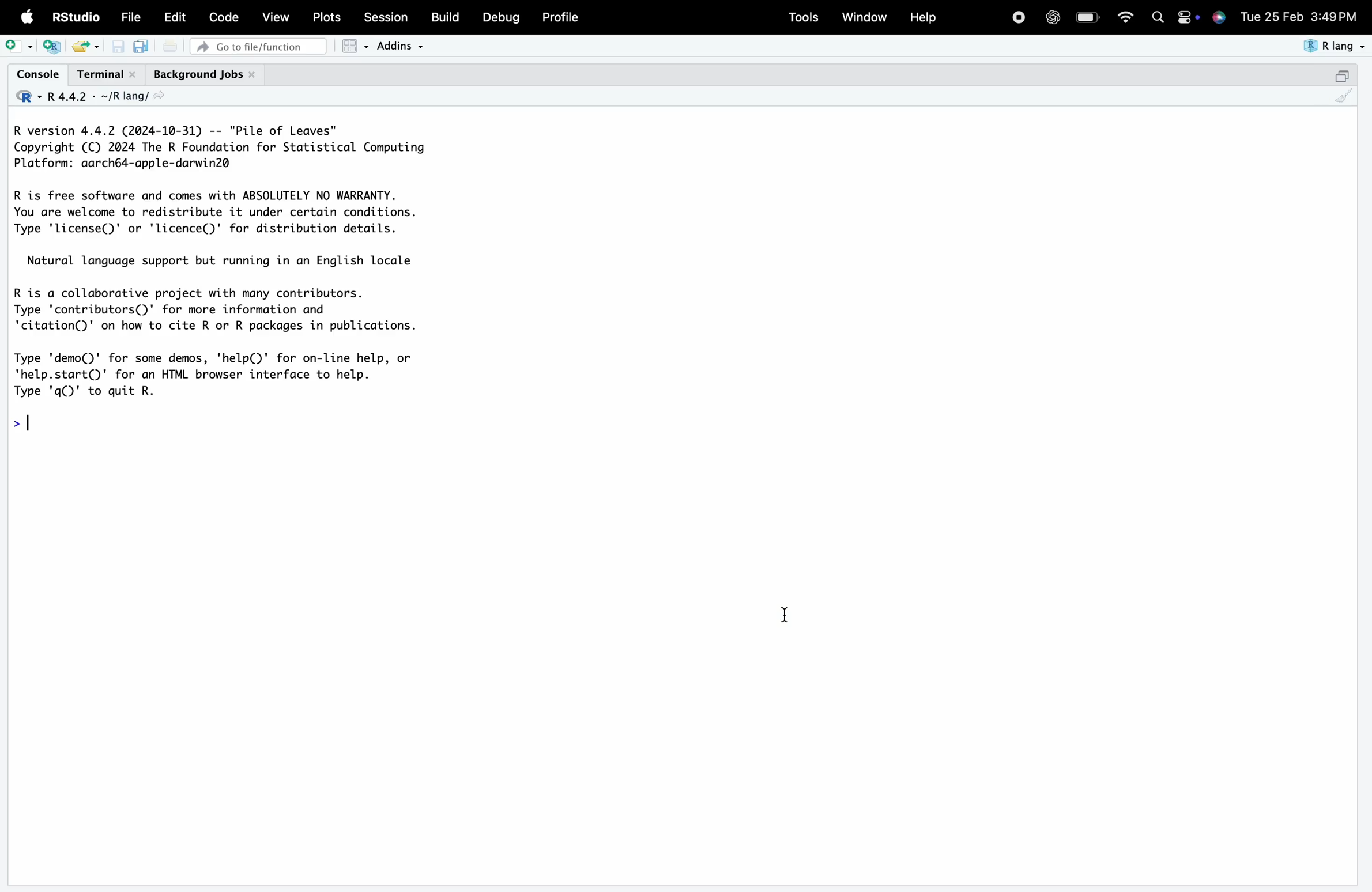 The height and width of the screenshot is (892, 1372). What do you see at coordinates (864, 16) in the screenshot?
I see `Window` at bounding box center [864, 16].